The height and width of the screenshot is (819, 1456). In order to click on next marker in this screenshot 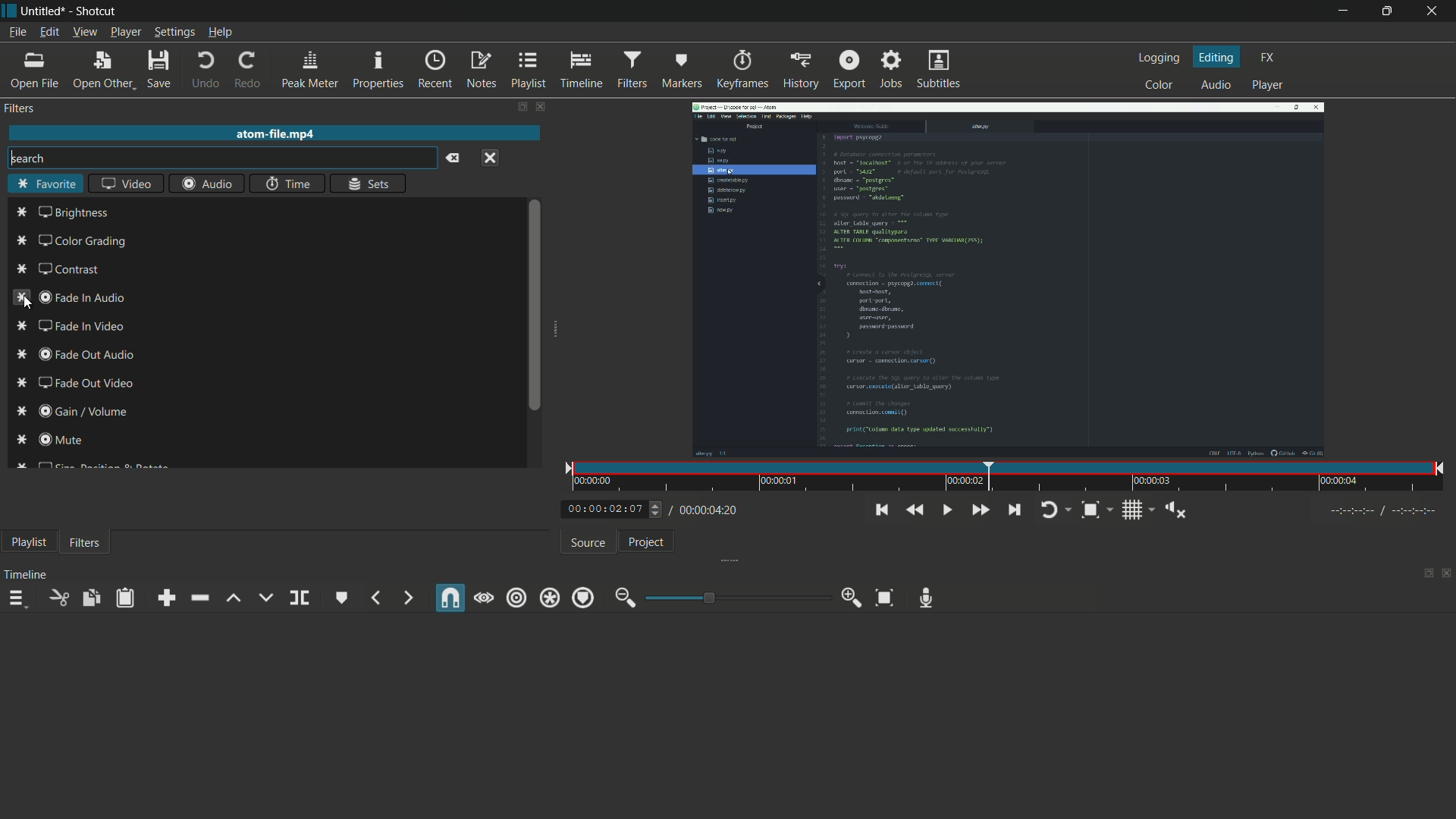, I will do `click(408, 599)`.